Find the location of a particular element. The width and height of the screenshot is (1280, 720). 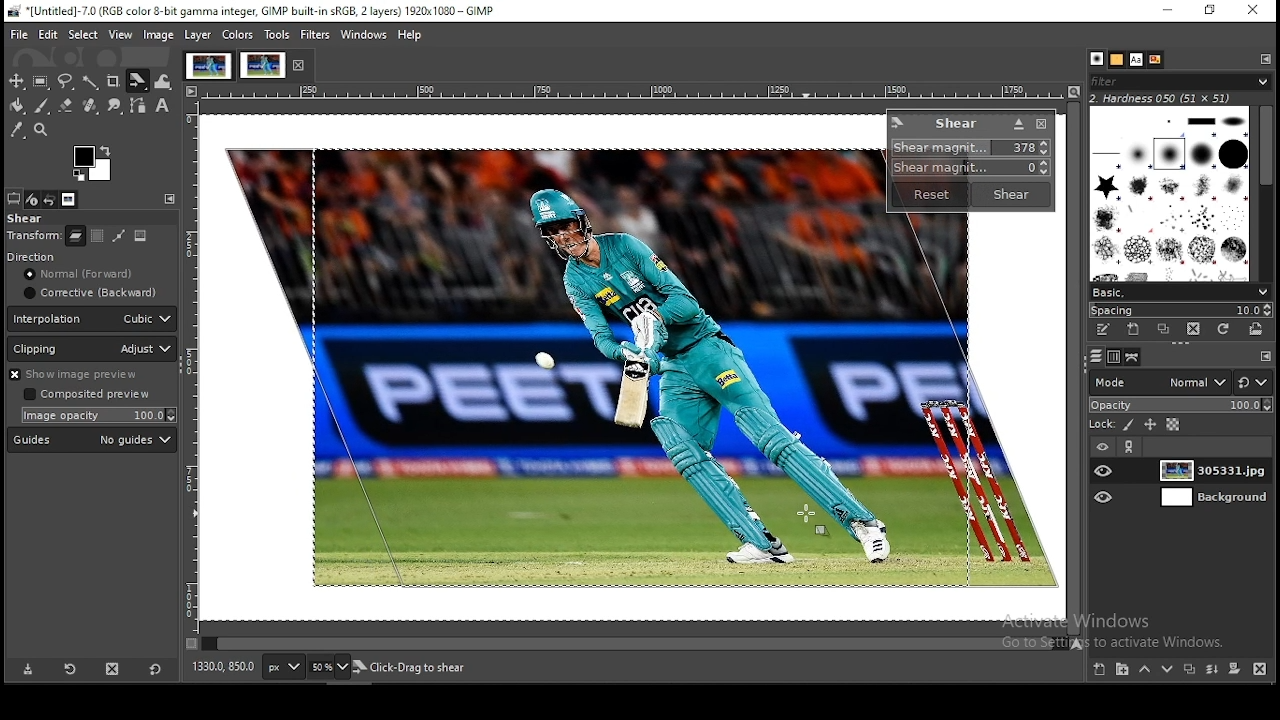

 is located at coordinates (66, 105).